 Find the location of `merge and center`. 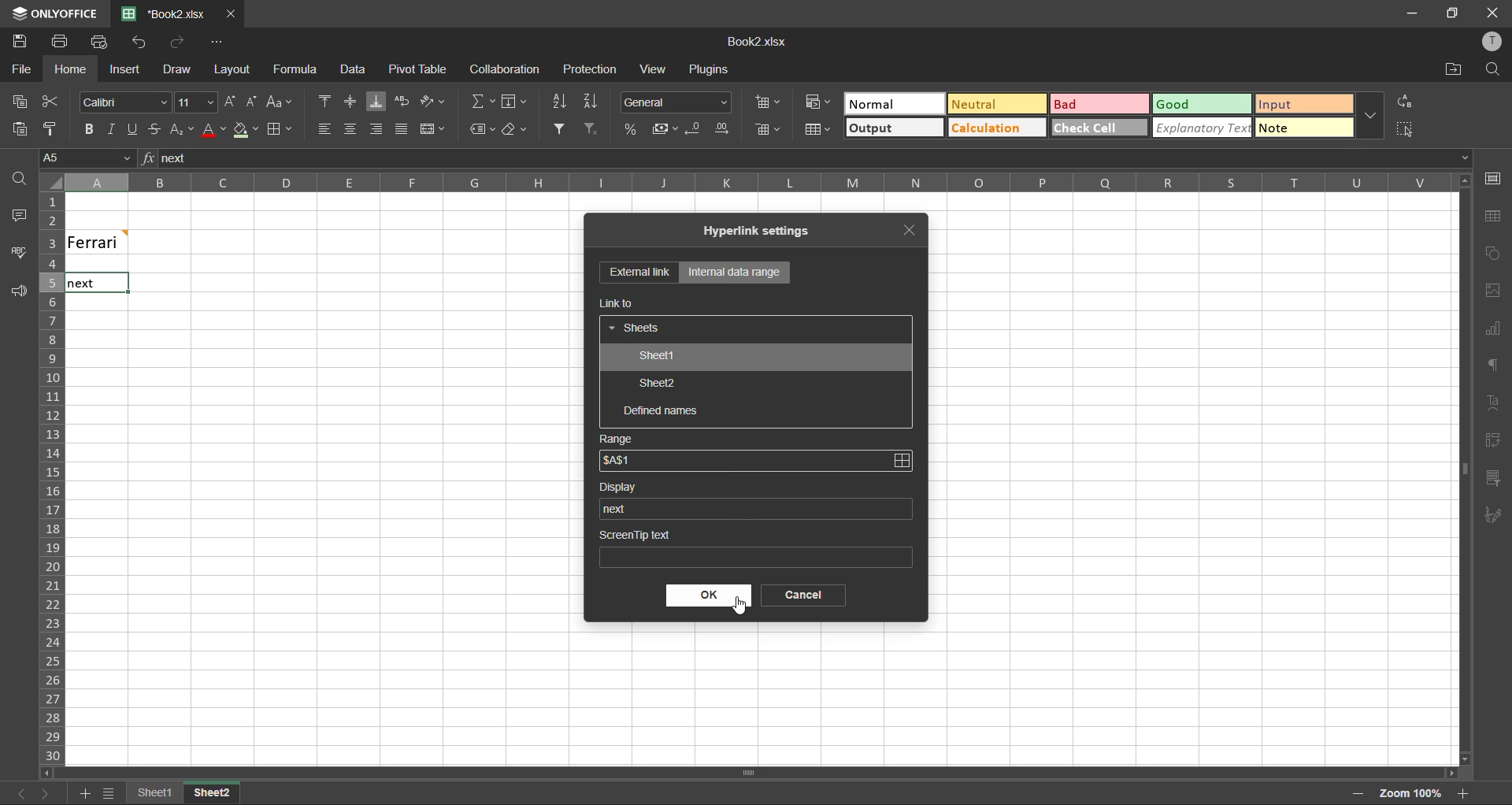

merge and center is located at coordinates (432, 129).